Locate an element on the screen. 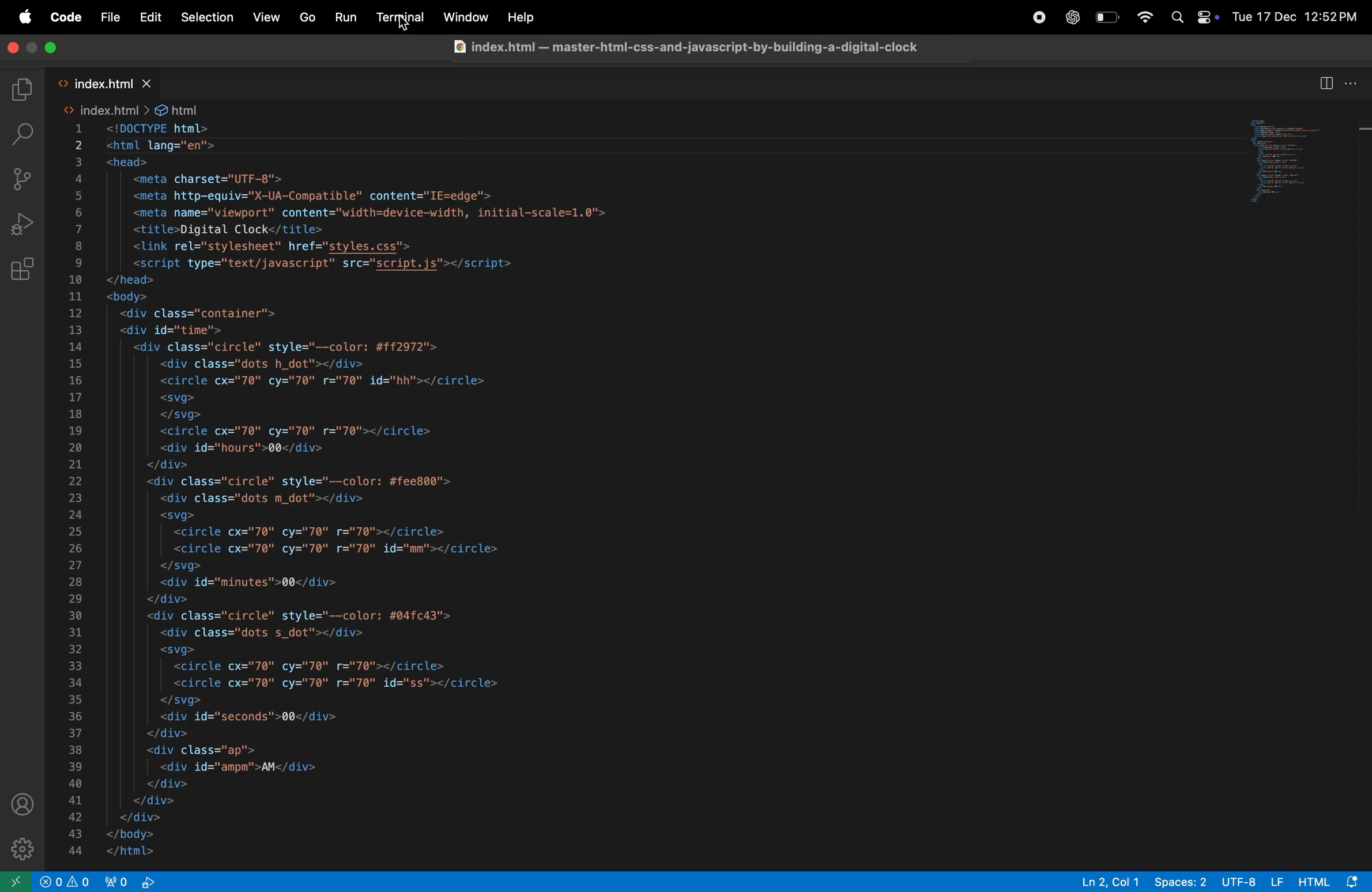 The height and width of the screenshot is (892, 1372). explore is located at coordinates (24, 89).